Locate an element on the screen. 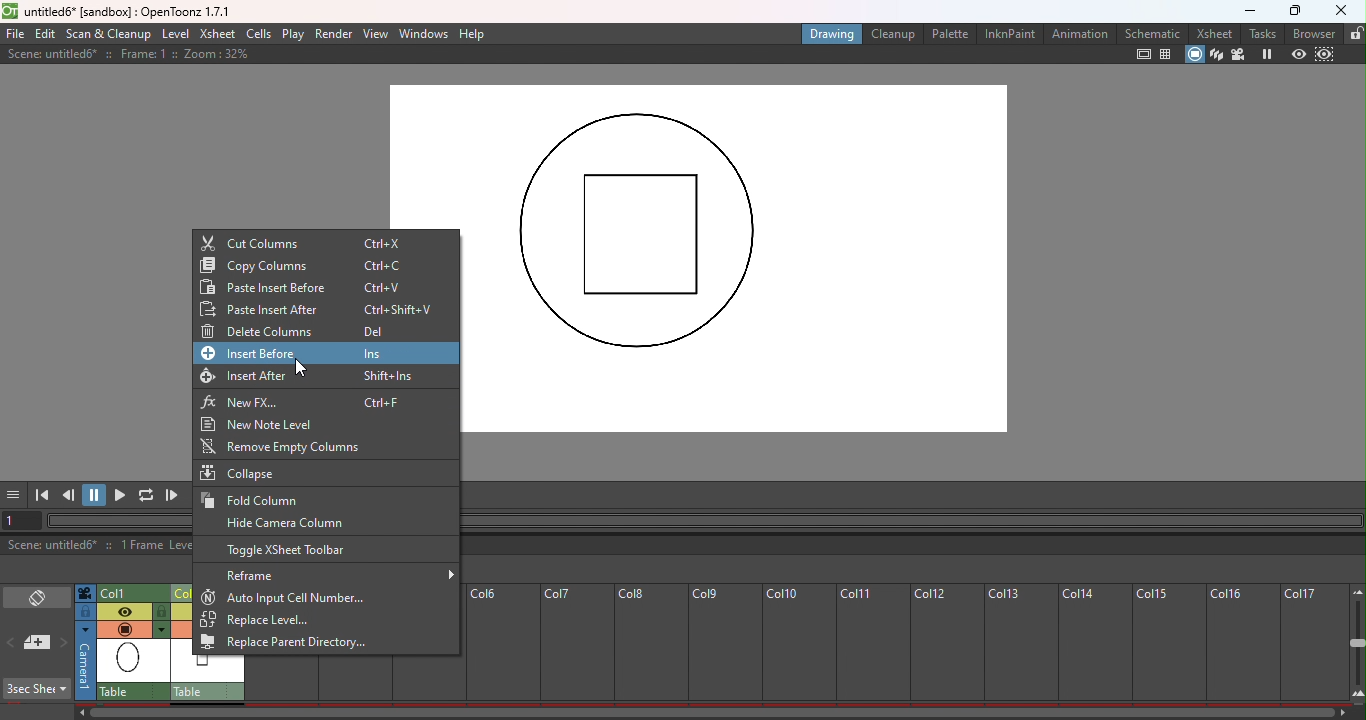  Close is located at coordinates (1342, 11).